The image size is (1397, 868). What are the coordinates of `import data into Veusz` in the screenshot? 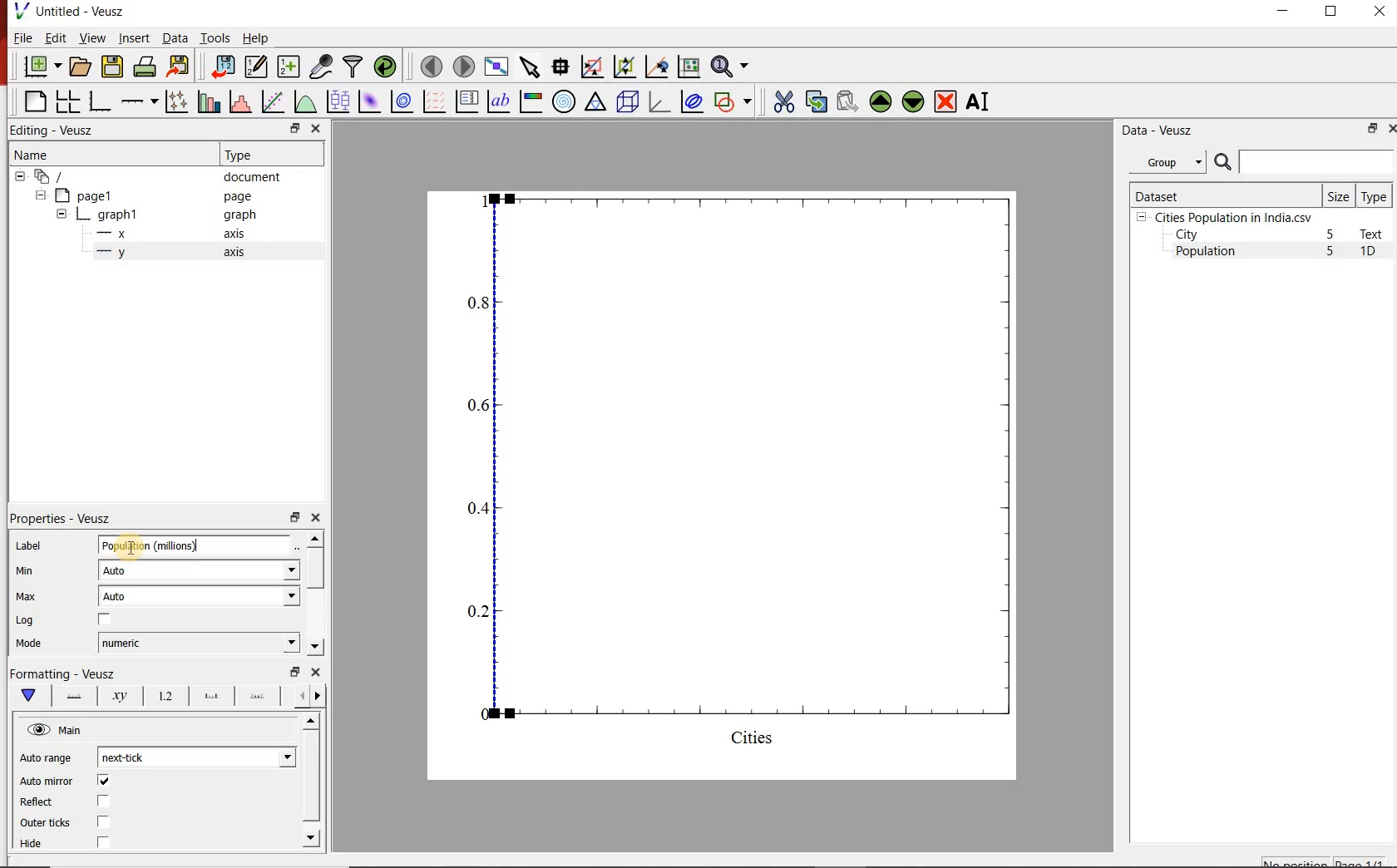 It's located at (222, 66).